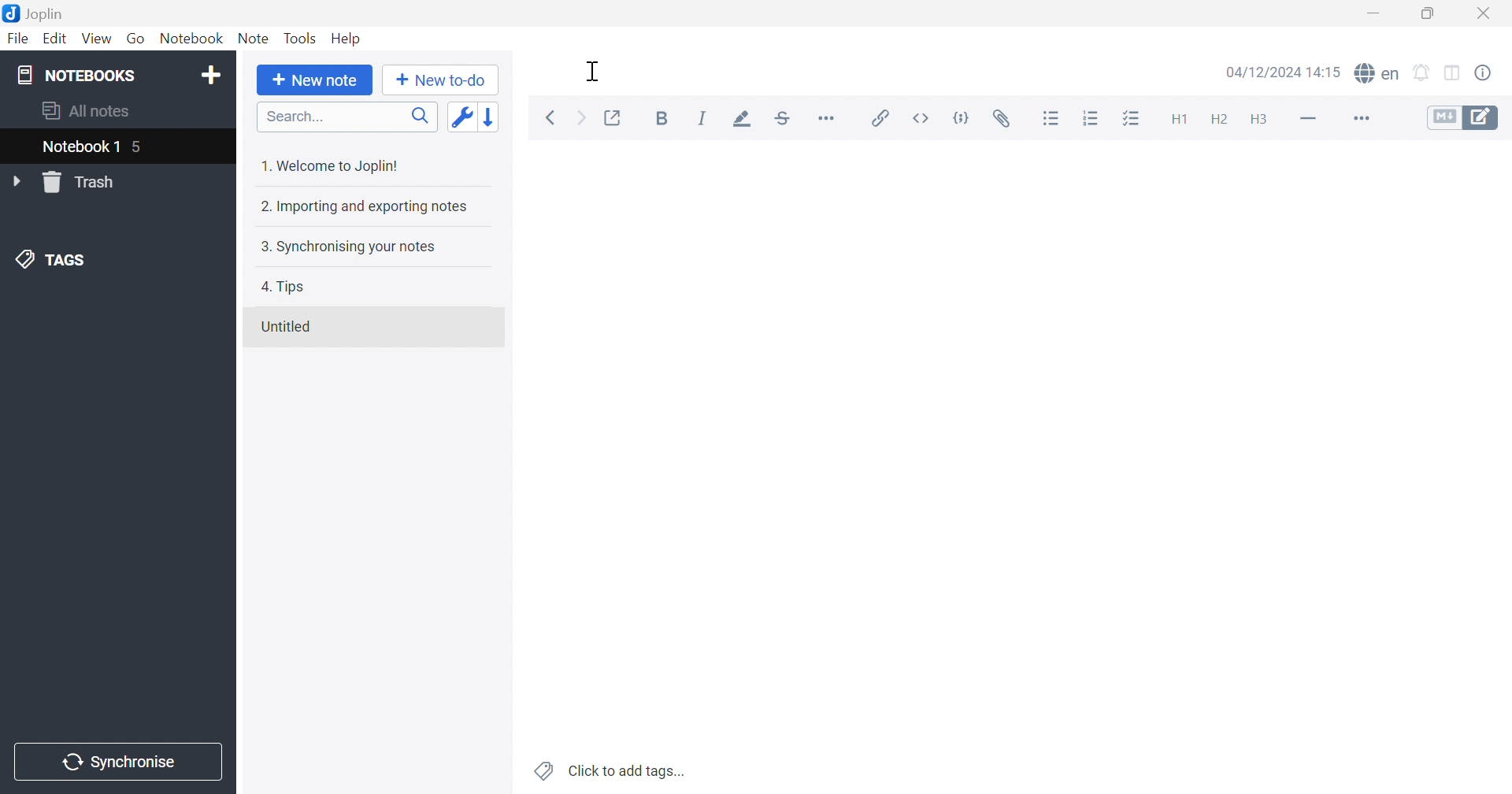 Image resolution: width=1512 pixels, height=794 pixels. I want to click on Toggl external editing, so click(614, 118).